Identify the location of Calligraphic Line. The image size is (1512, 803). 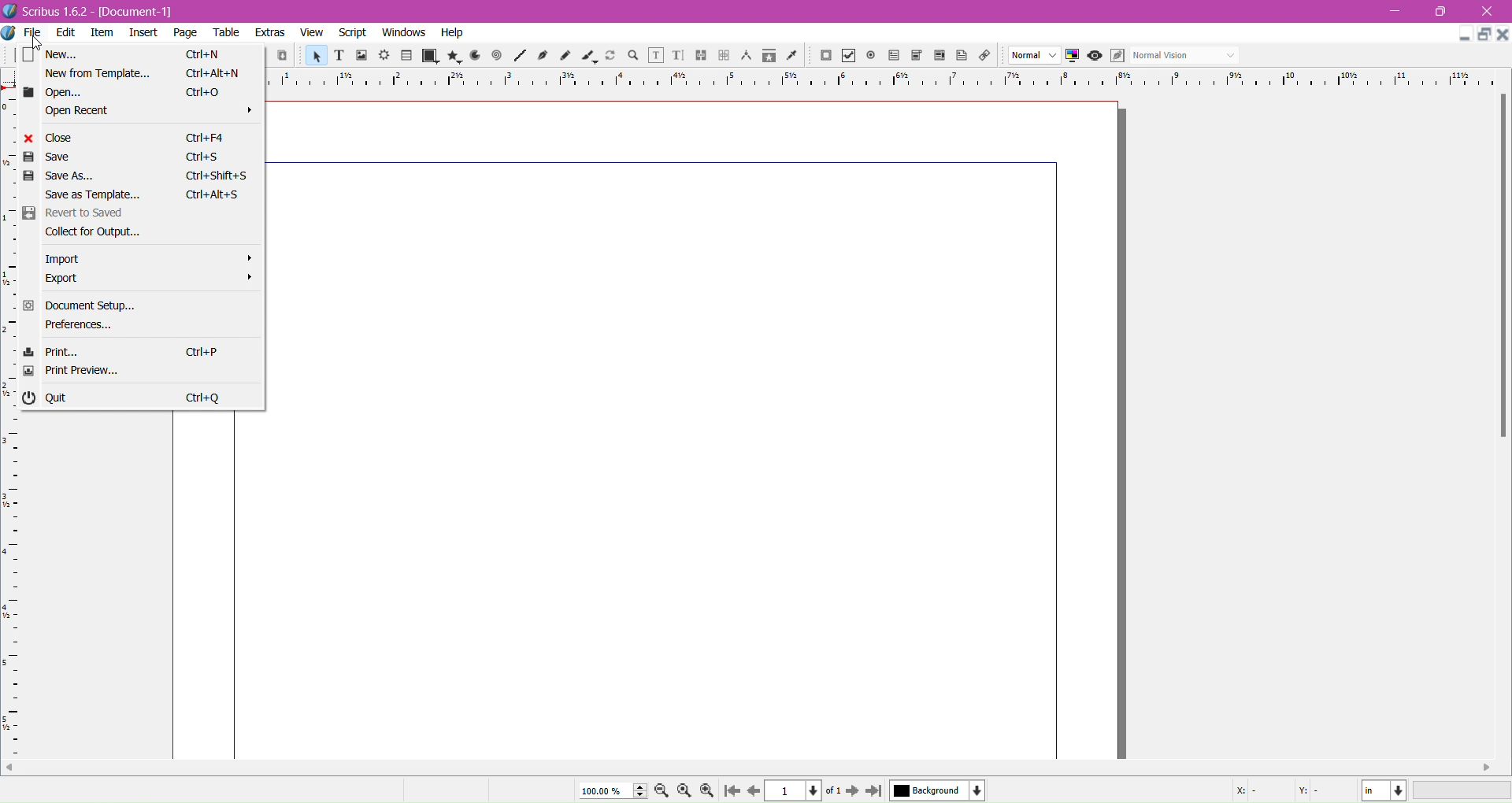
(590, 57).